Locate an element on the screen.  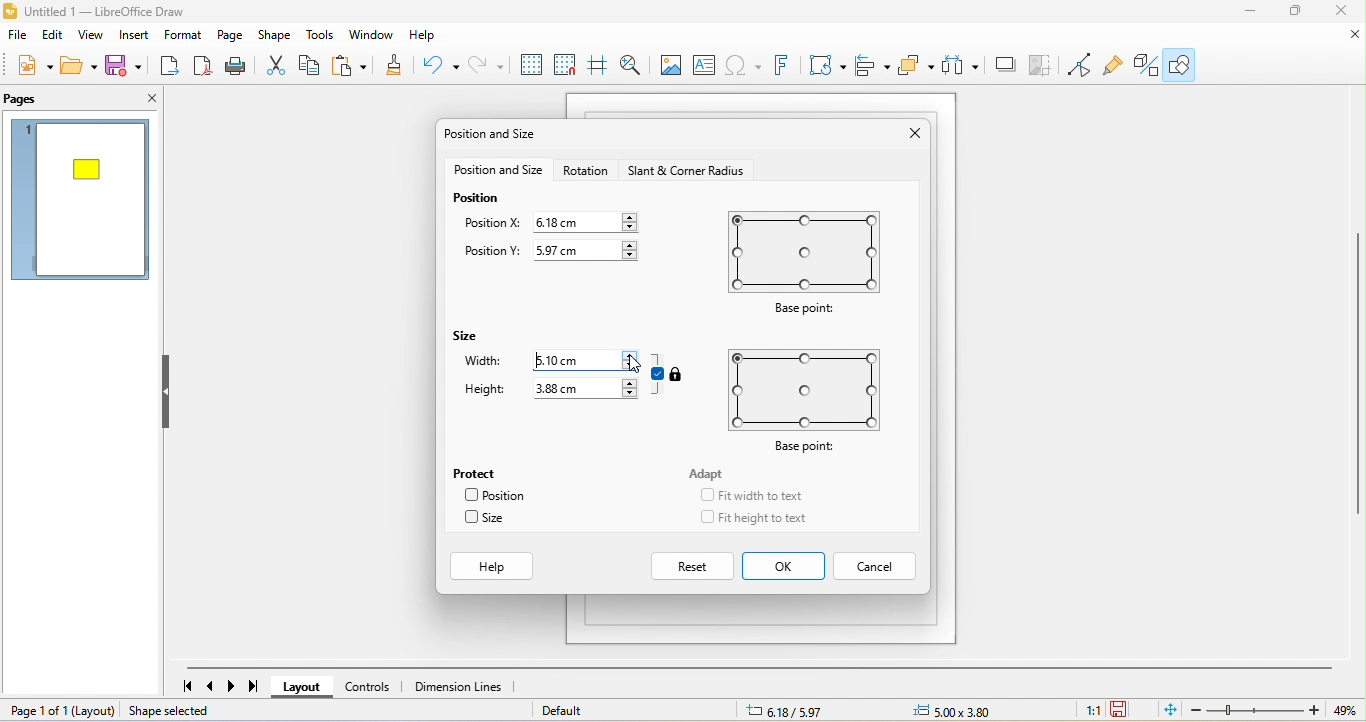
page is located at coordinates (233, 37).